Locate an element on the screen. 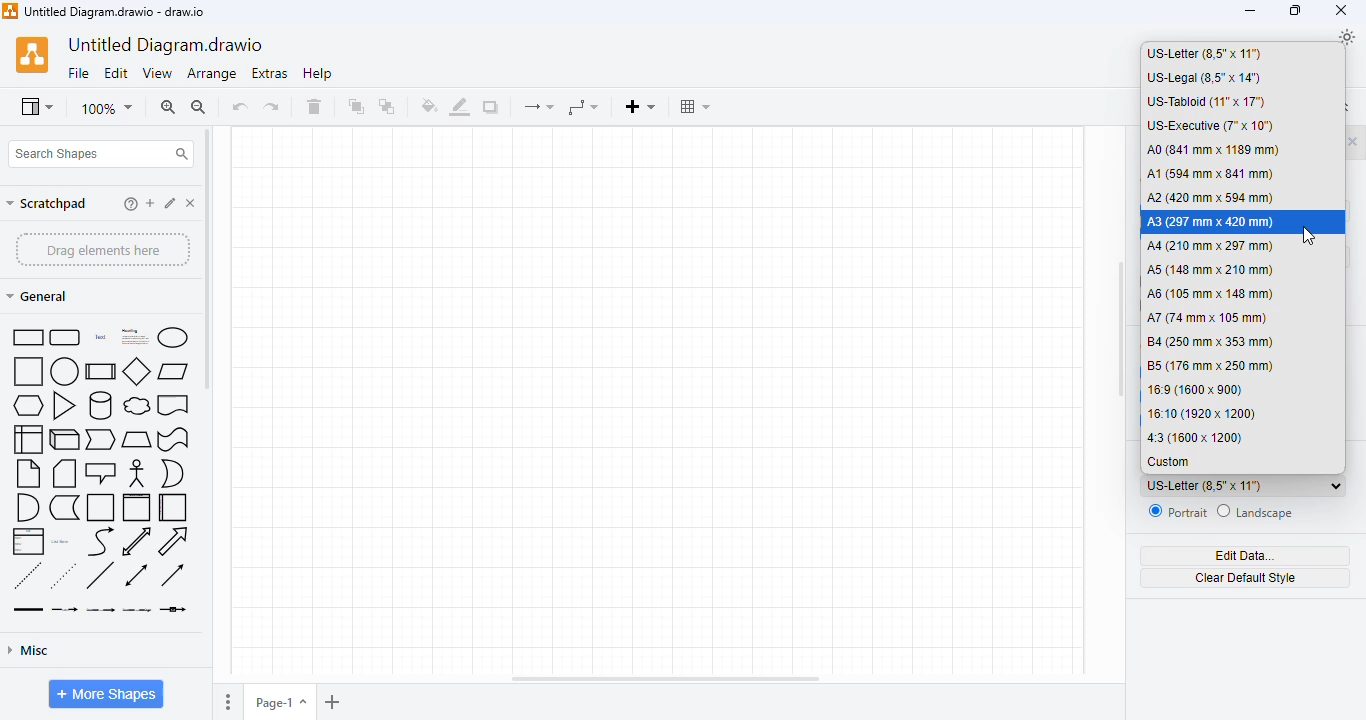 The height and width of the screenshot is (720, 1366). document is located at coordinates (173, 405).